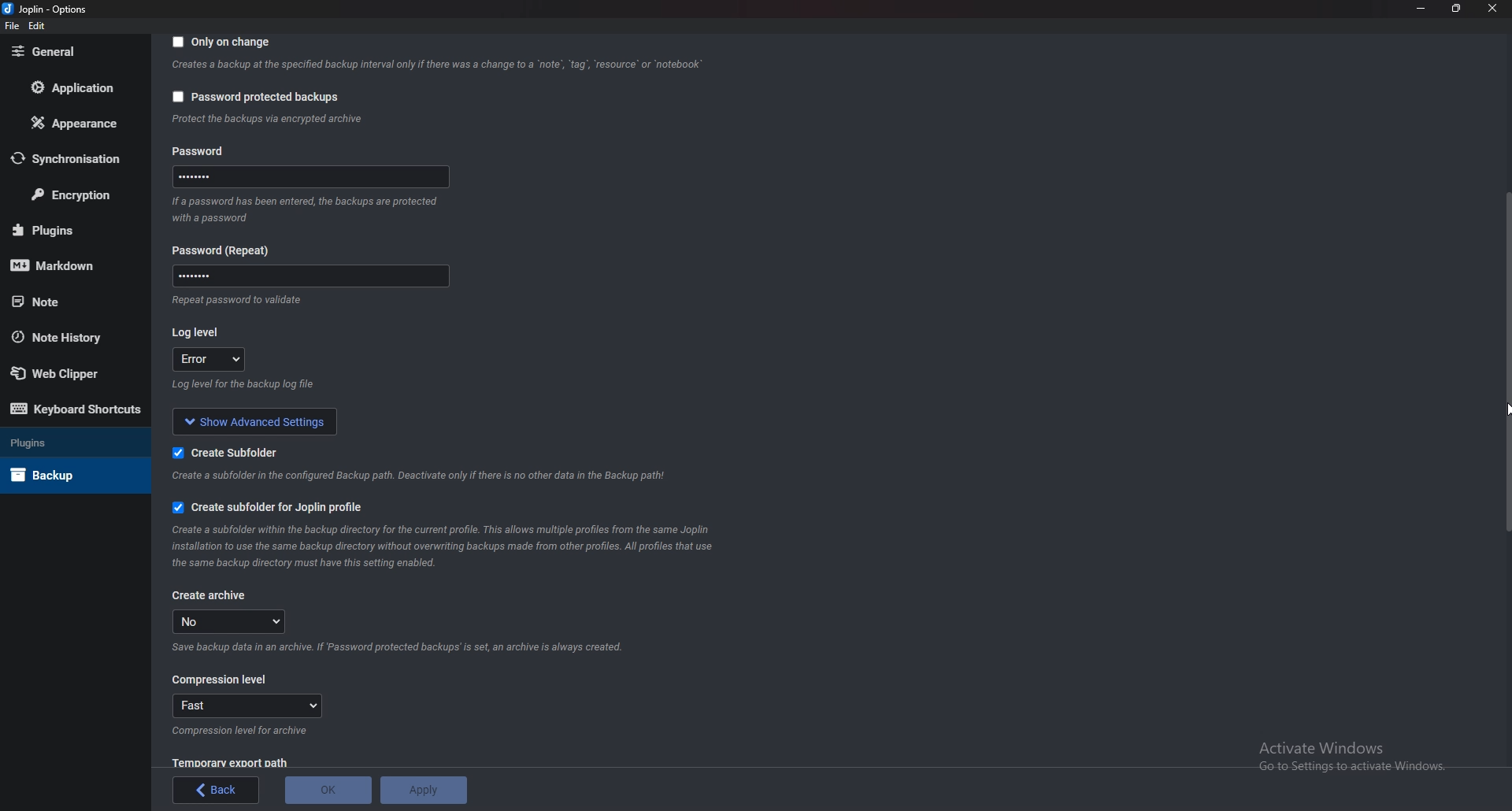 The width and height of the screenshot is (1512, 811). Describe the element at coordinates (64, 267) in the screenshot. I see `mark down` at that location.